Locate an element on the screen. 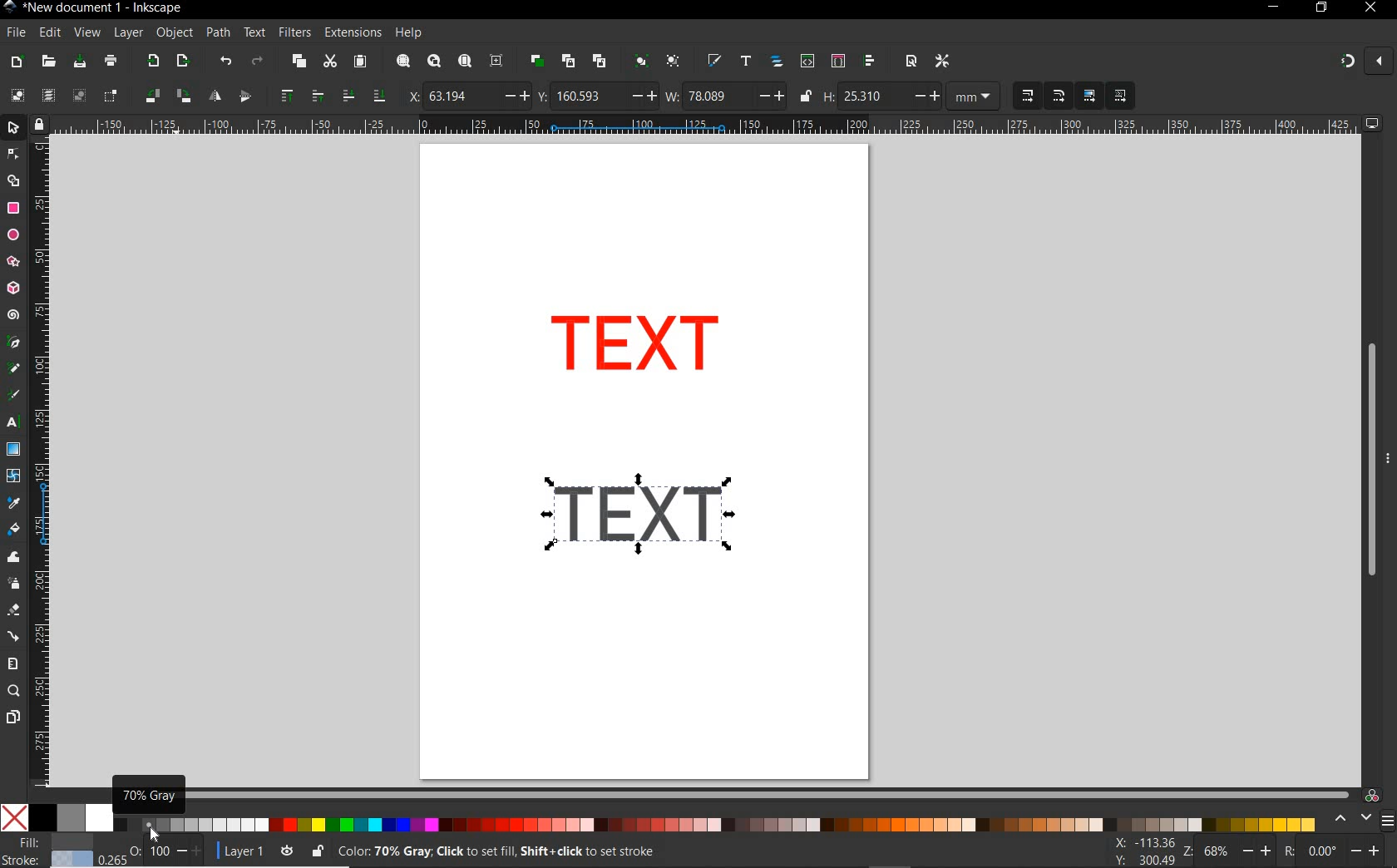 This screenshot has height=868, width=1397. object is located at coordinates (175, 33).